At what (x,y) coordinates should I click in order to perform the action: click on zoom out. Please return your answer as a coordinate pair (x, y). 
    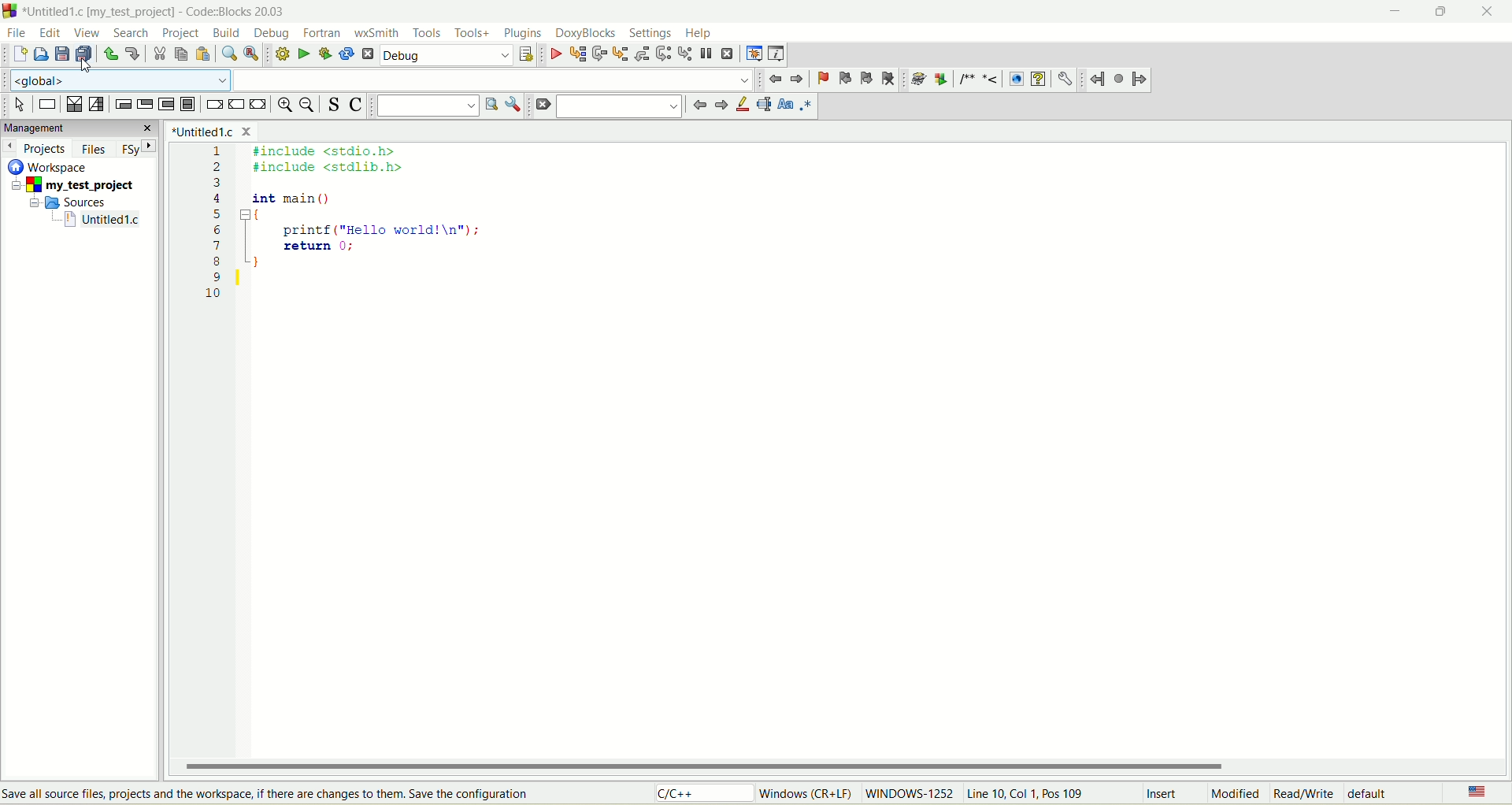
    Looking at the image, I should click on (309, 108).